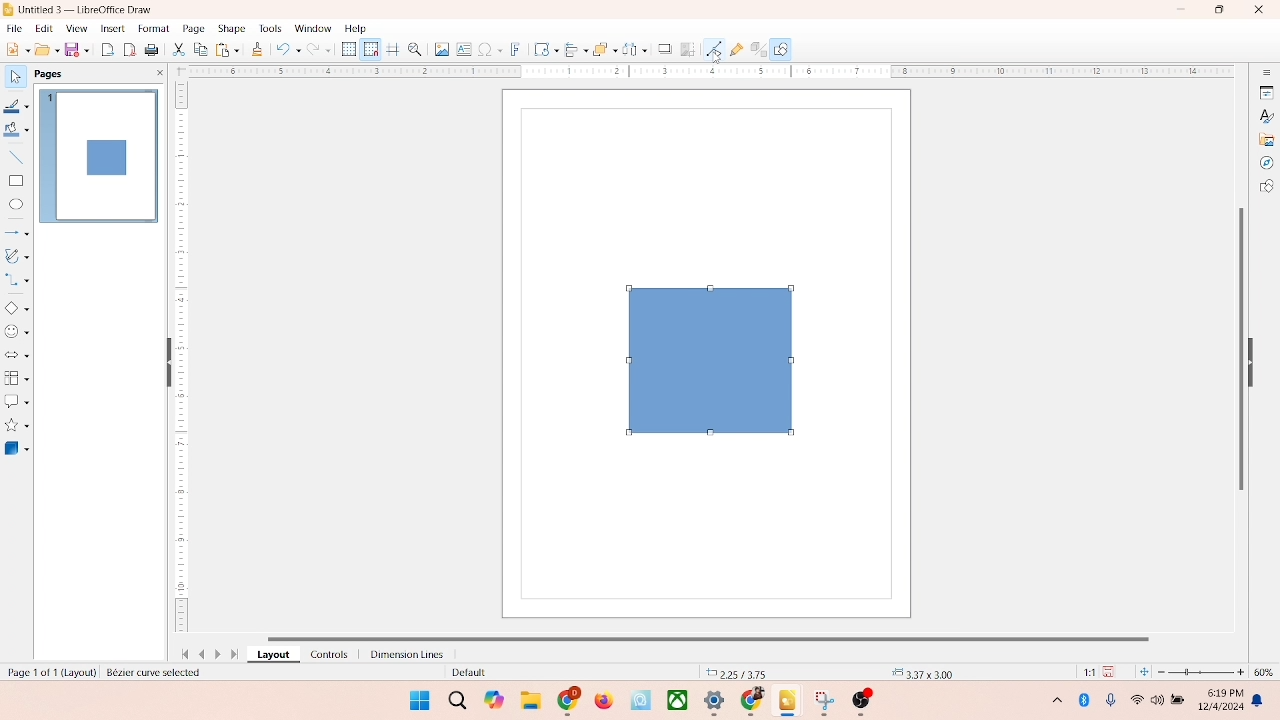 This screenshot has height=720, width=1280. Describe the element at coordinates (753, 50) in the screenshot. I see `toggle extrusion` at that location.